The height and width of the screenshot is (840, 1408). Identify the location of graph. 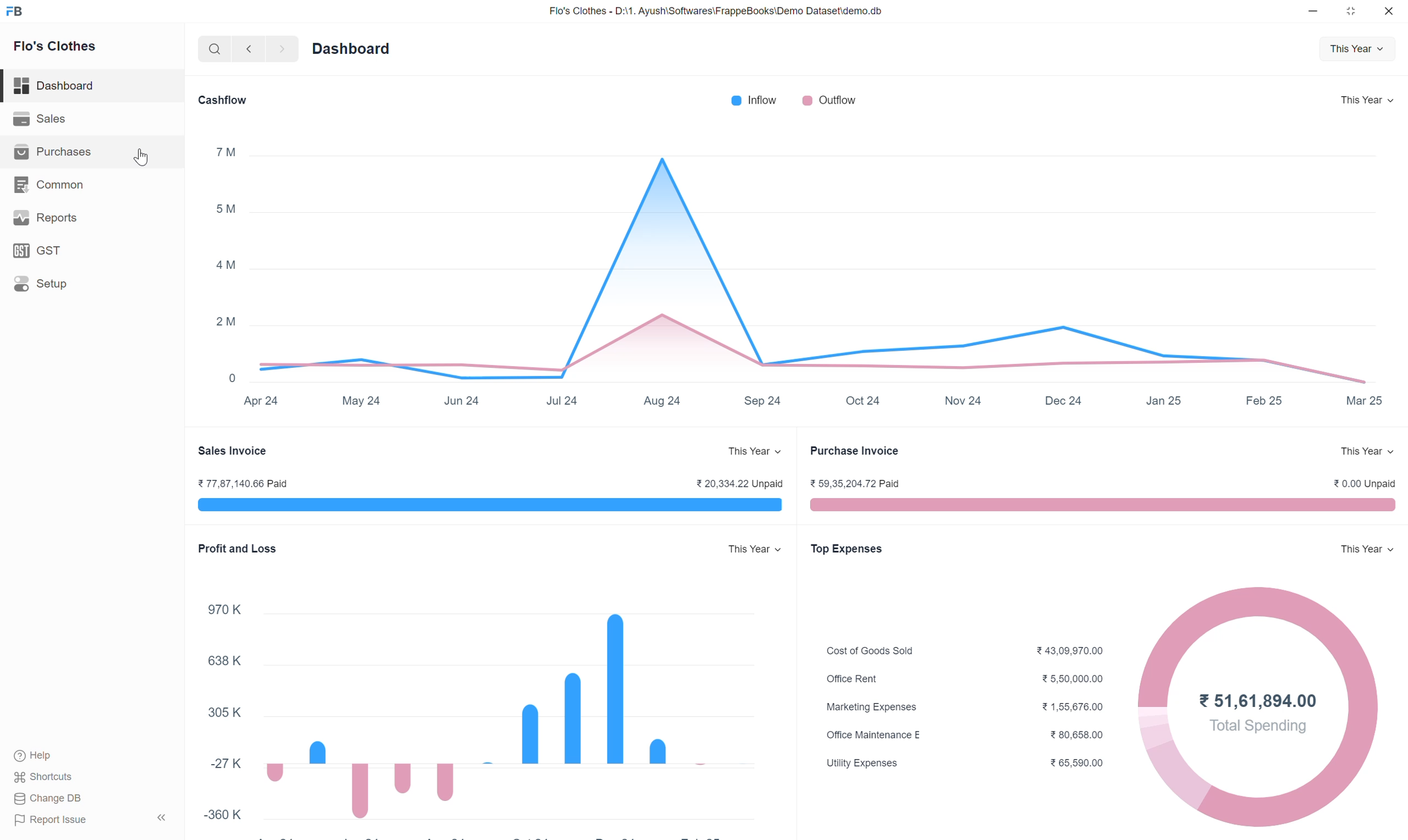
(525, 722).